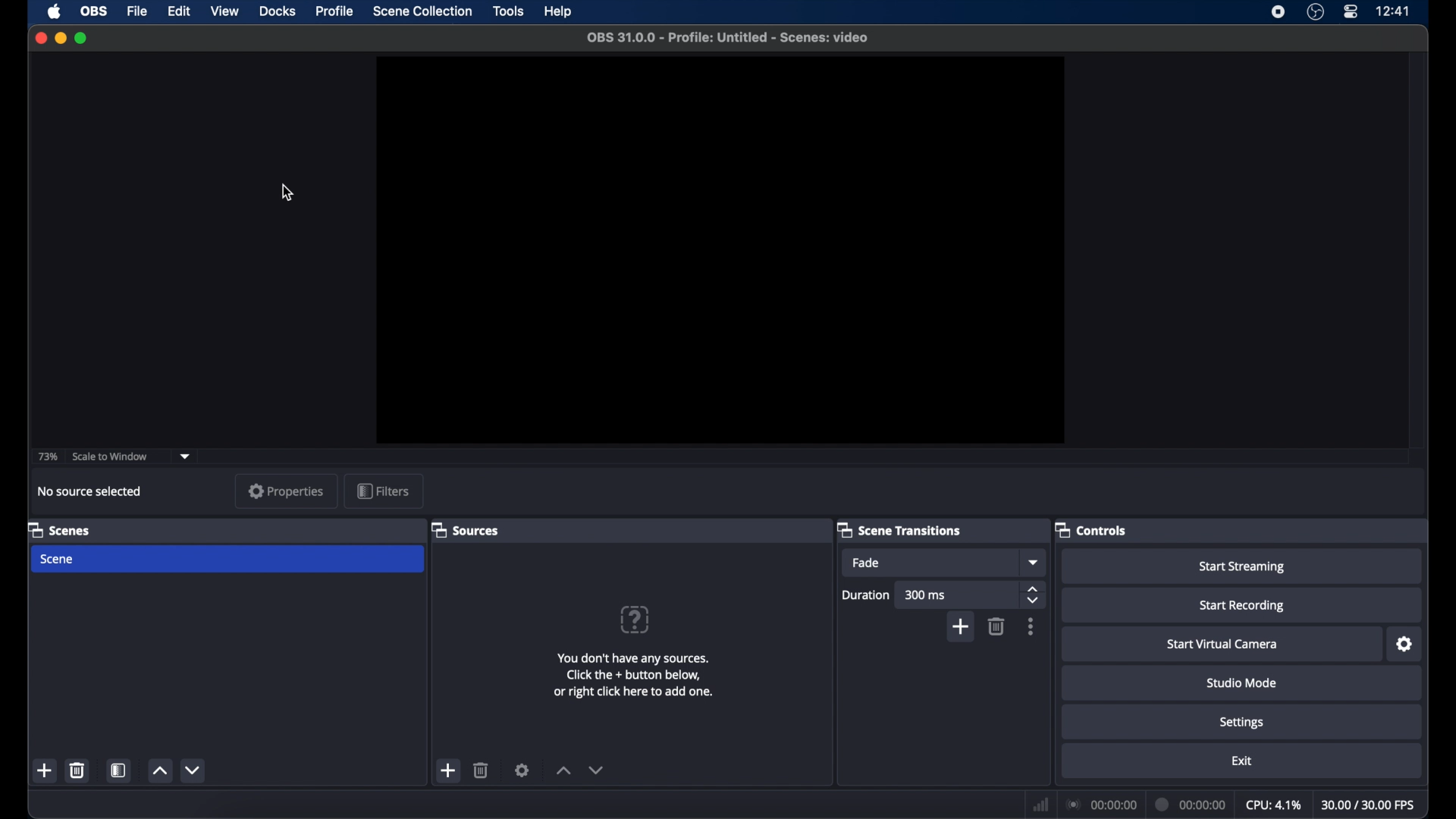 Image resolution: width=1456 pixels, height=819 pixels. What do you see at coordinates (956, 593) in the screenshot?
I see `300 ms` at bounding box center [956, 593].